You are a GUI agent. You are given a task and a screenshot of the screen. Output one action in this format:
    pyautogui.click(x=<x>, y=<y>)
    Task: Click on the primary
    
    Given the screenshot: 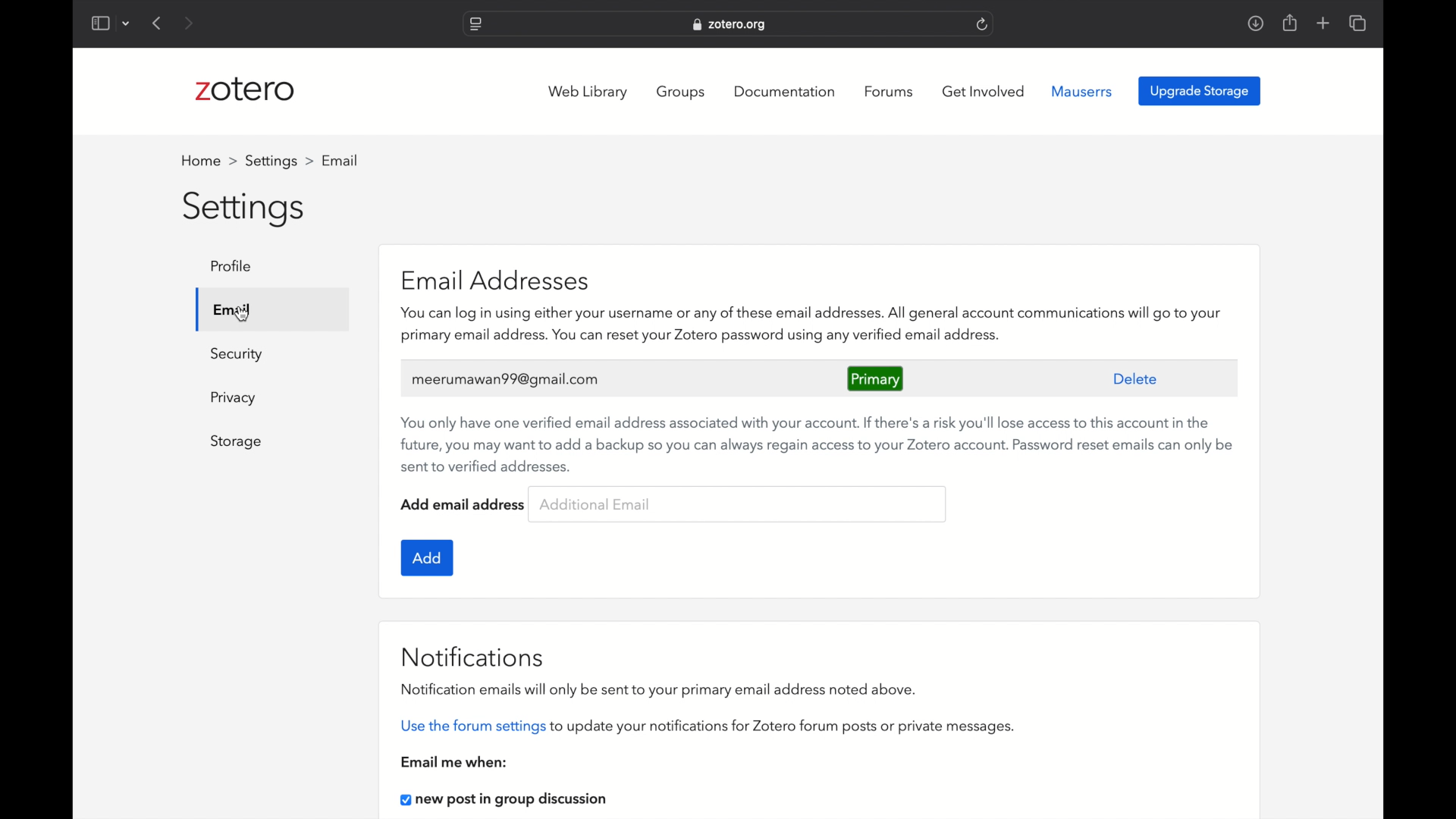 What is the action you would take?
    pyautogui.click(x=877, y=379)
    